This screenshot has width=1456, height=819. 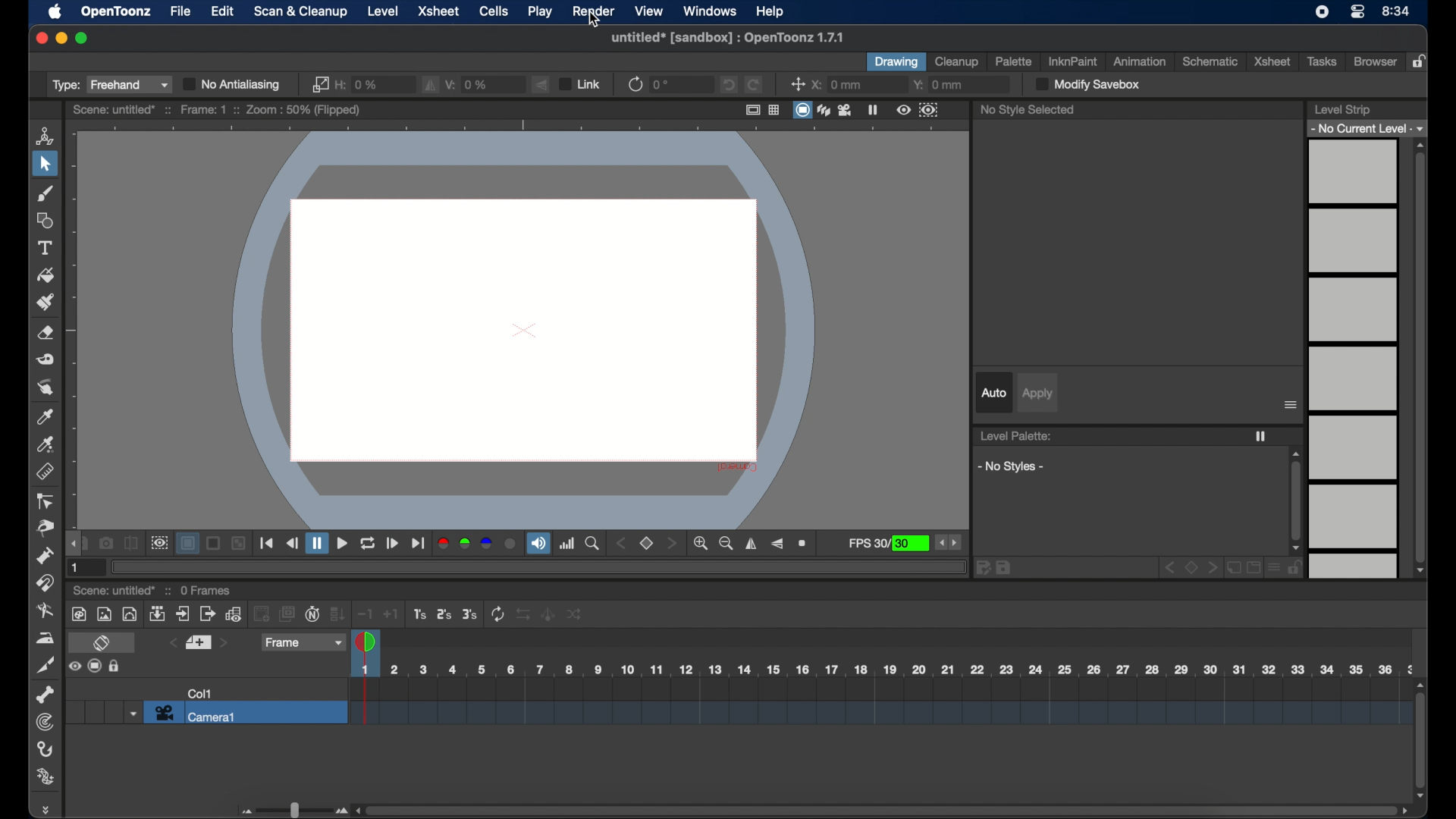 I want to click on time, so click(x=1396, y=12).